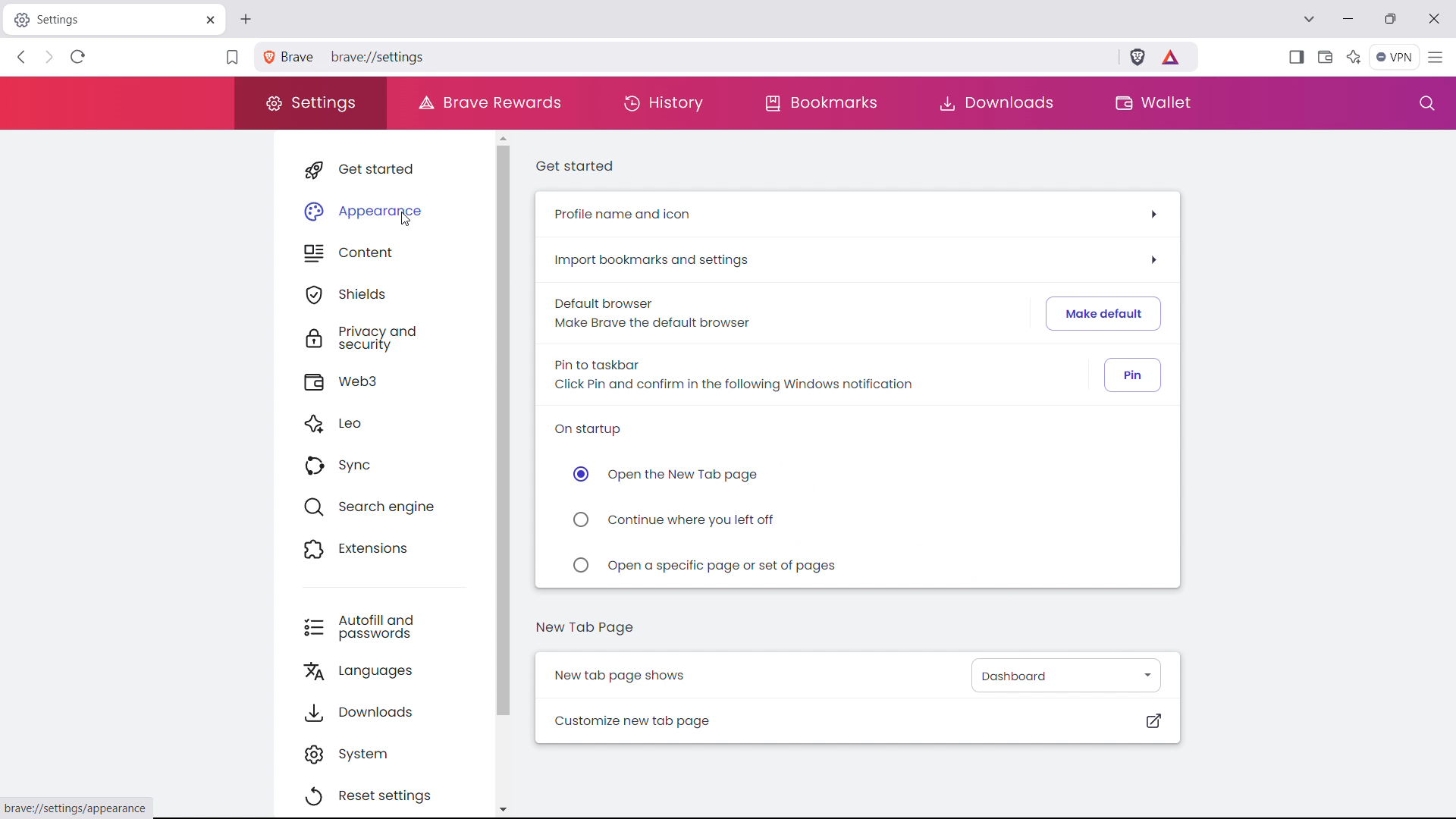 The image size is (1456, 819). I want to click on scrollbar, so click(509, 429).